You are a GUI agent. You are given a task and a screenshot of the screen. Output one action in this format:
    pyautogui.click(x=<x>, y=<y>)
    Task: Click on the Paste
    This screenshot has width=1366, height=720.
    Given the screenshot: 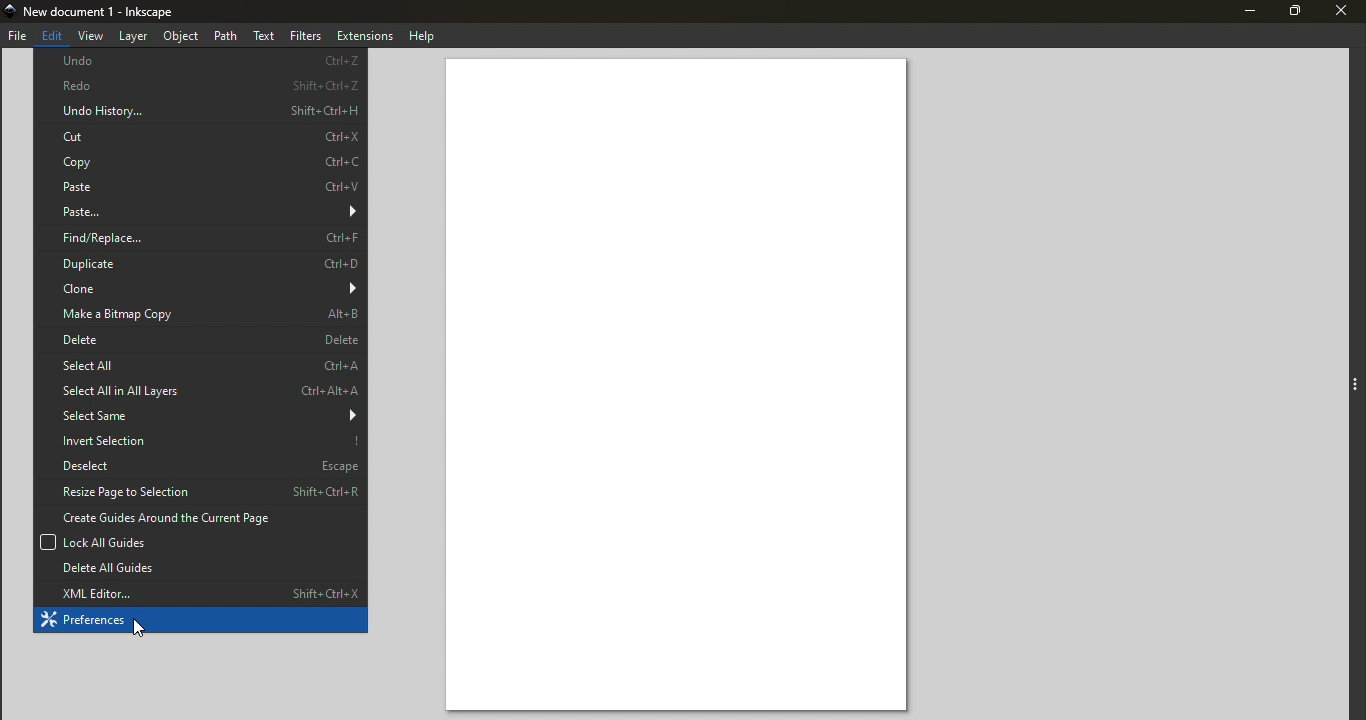 What is the action you would take?
    pyautogui.click(x=200, y=190)
    